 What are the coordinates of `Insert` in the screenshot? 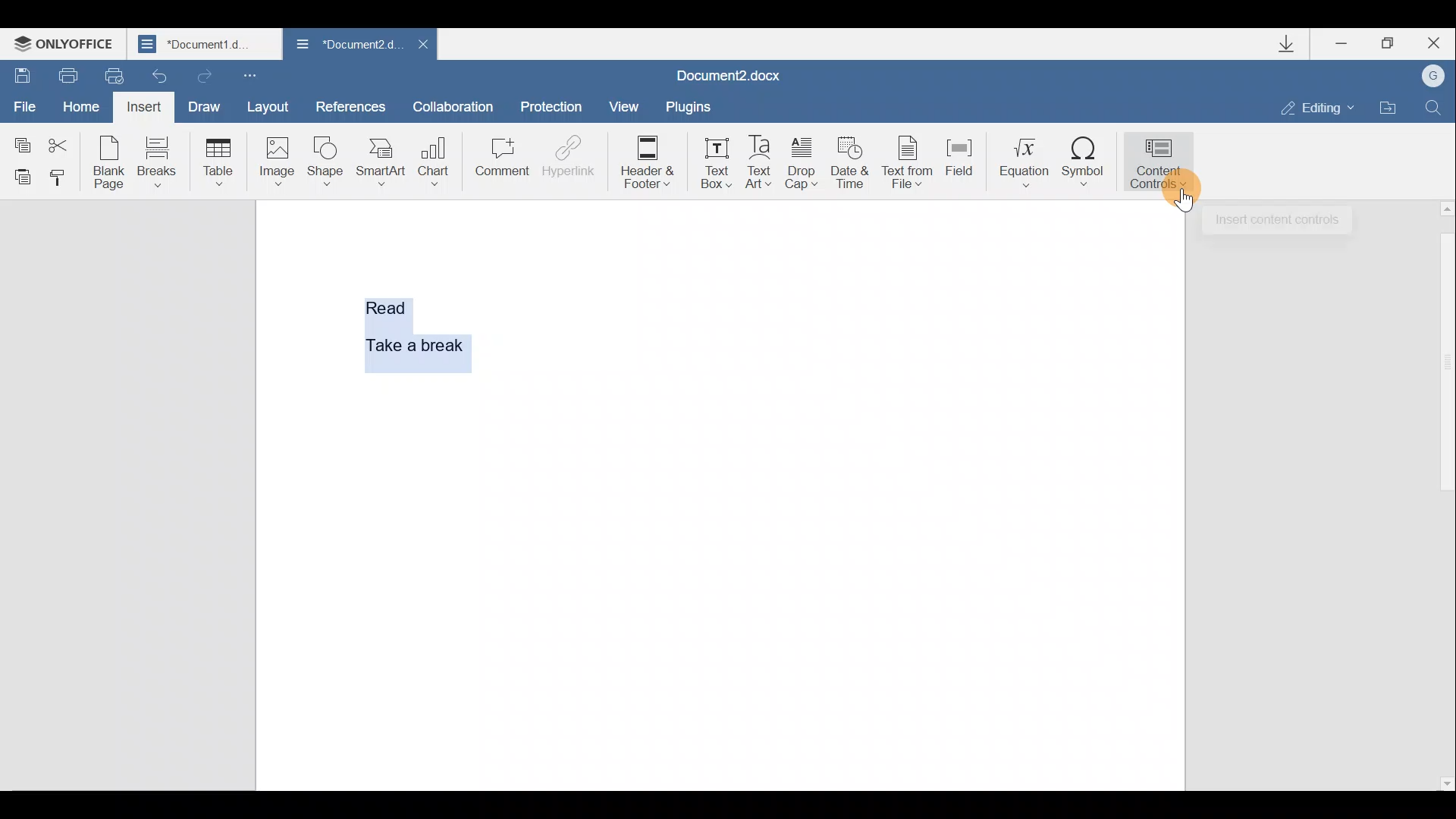 It's located at (142, 106).